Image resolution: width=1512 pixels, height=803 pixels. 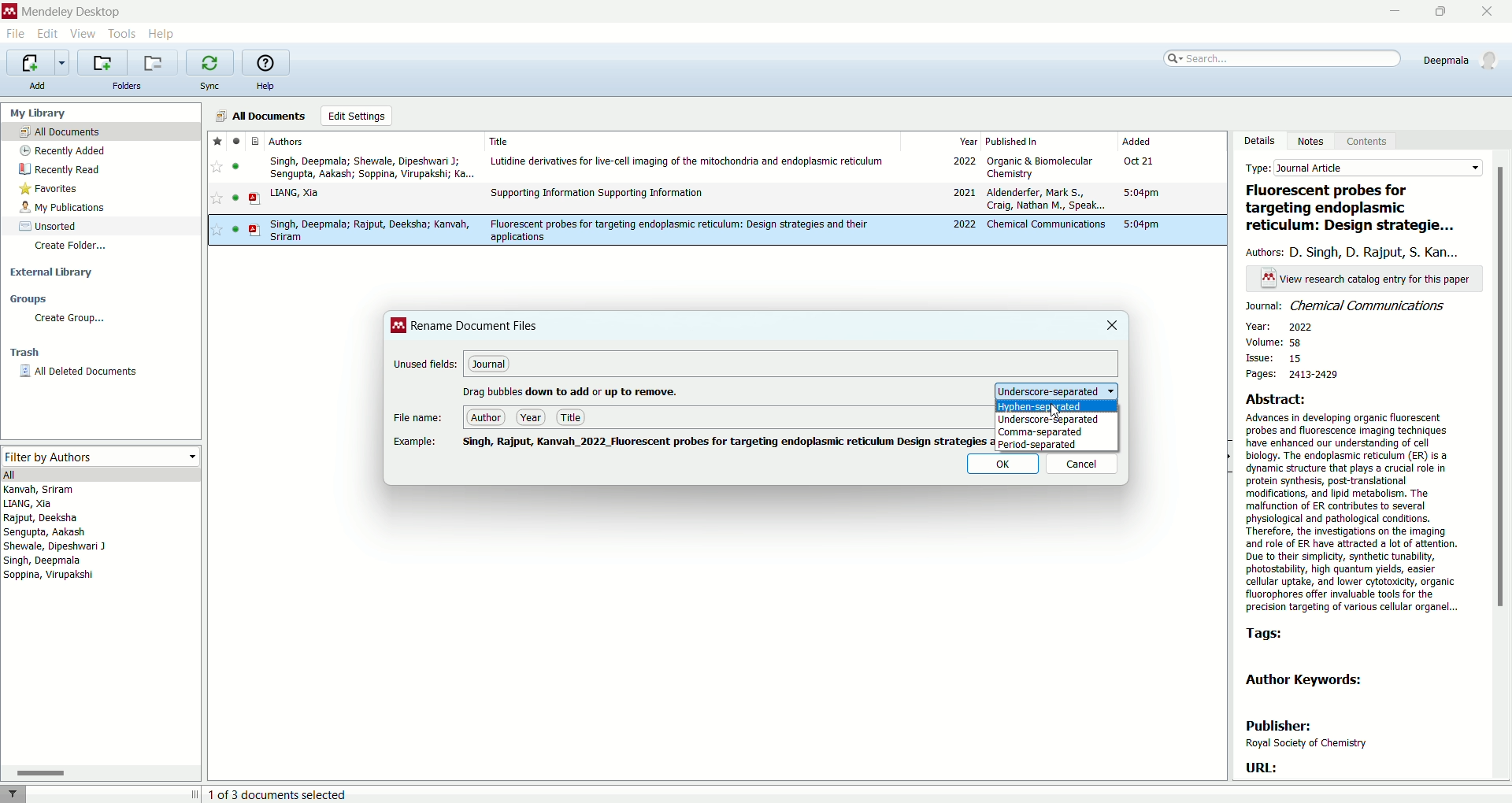 I want to click on issue, so click(x=1273, y=359).